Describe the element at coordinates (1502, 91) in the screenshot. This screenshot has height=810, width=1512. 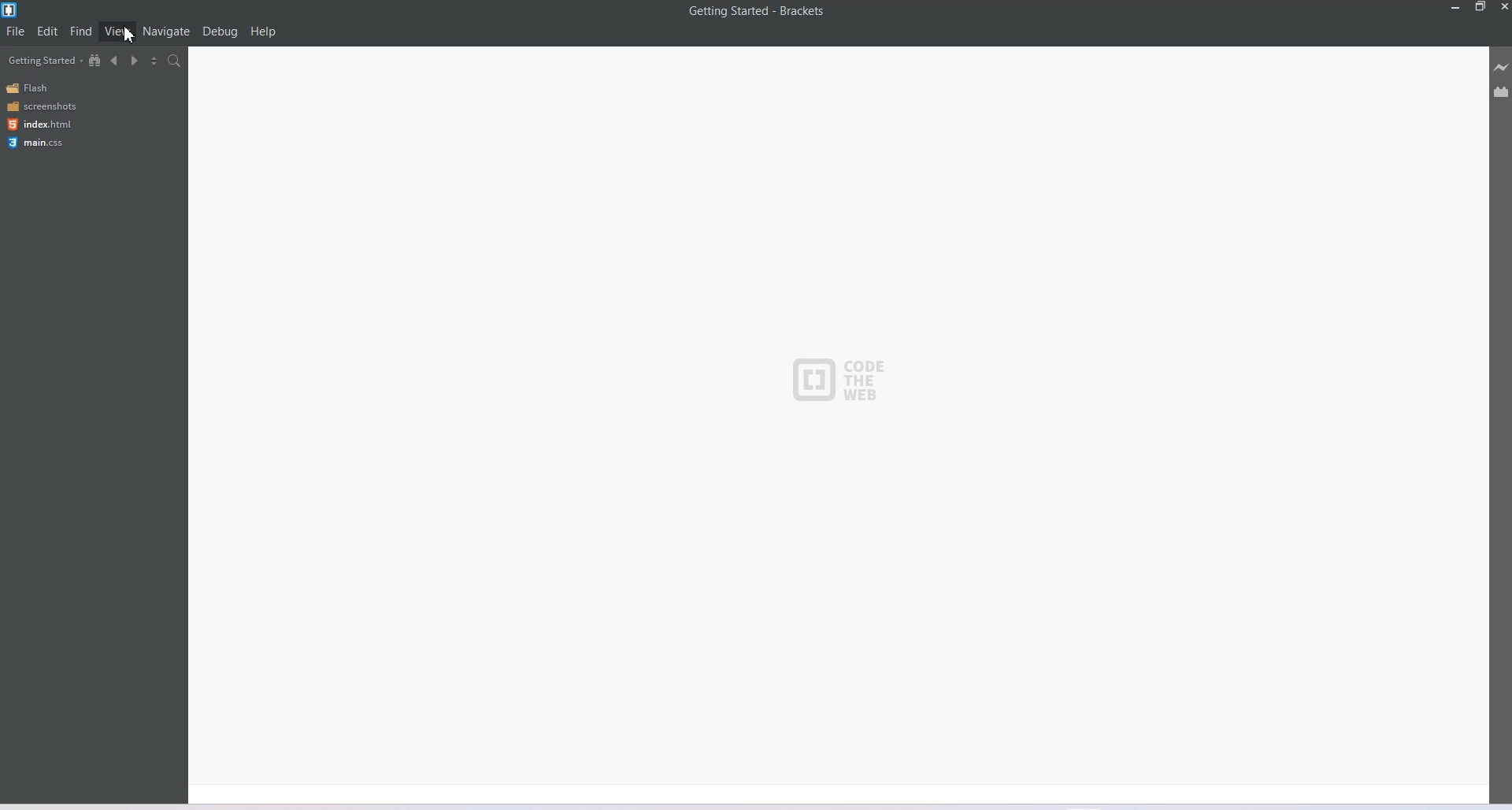
I see `Extension Manager` at that location.